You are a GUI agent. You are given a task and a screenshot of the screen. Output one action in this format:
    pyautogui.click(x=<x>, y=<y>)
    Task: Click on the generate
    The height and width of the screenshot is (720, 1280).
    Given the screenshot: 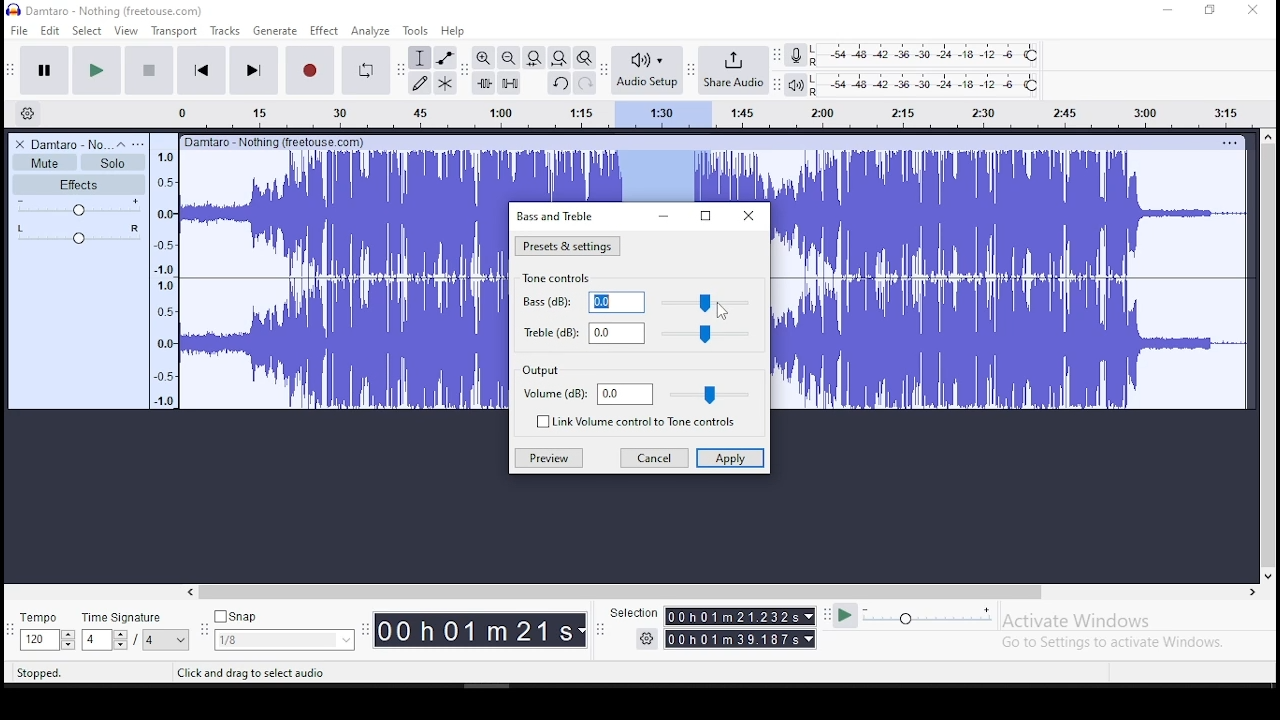 What is the action you would take?
    pyautogui.click(x=273, y=31)
    